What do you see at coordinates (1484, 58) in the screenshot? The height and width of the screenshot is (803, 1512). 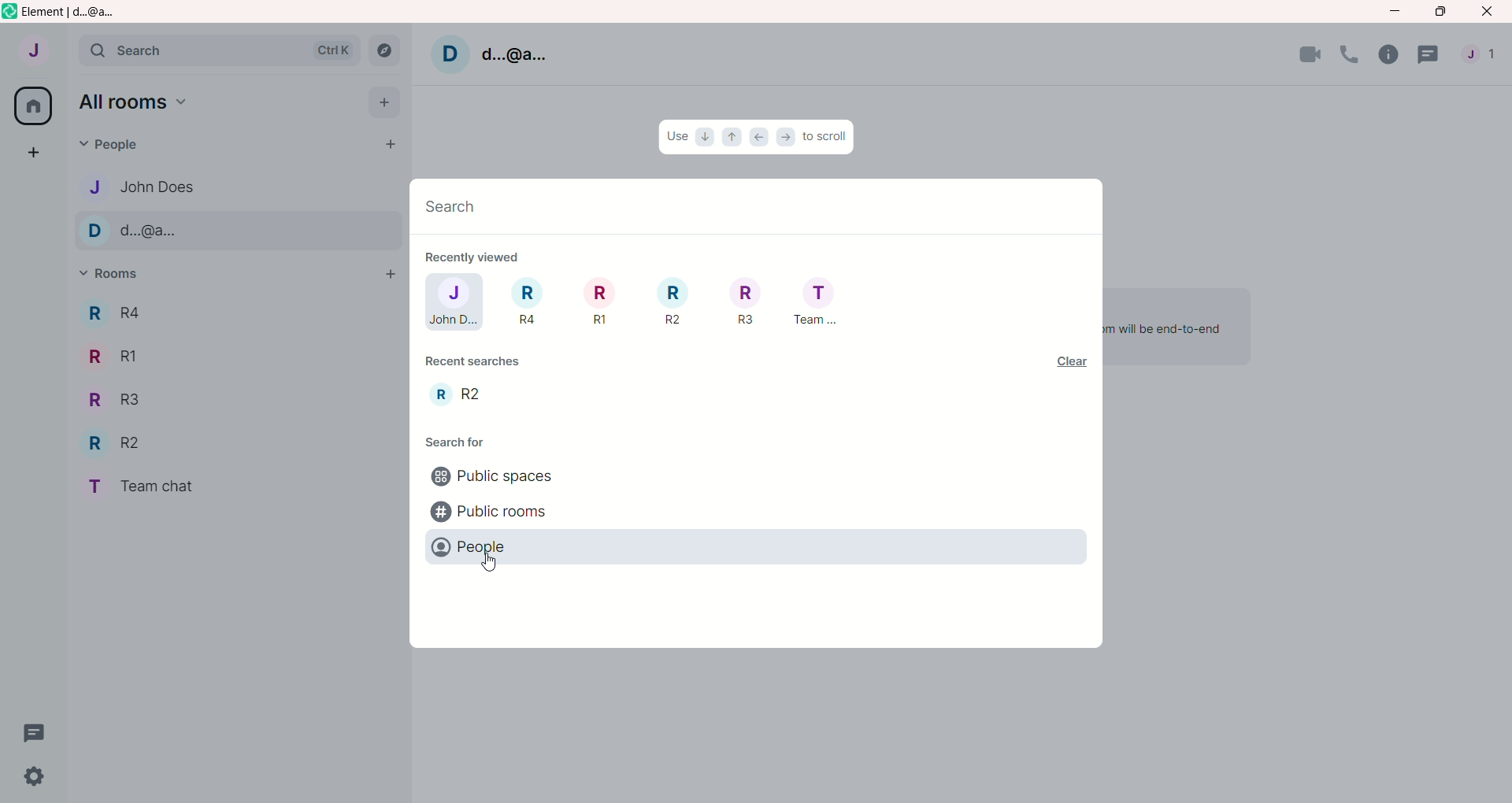 I see `people` at bounding box center [1484, 58].